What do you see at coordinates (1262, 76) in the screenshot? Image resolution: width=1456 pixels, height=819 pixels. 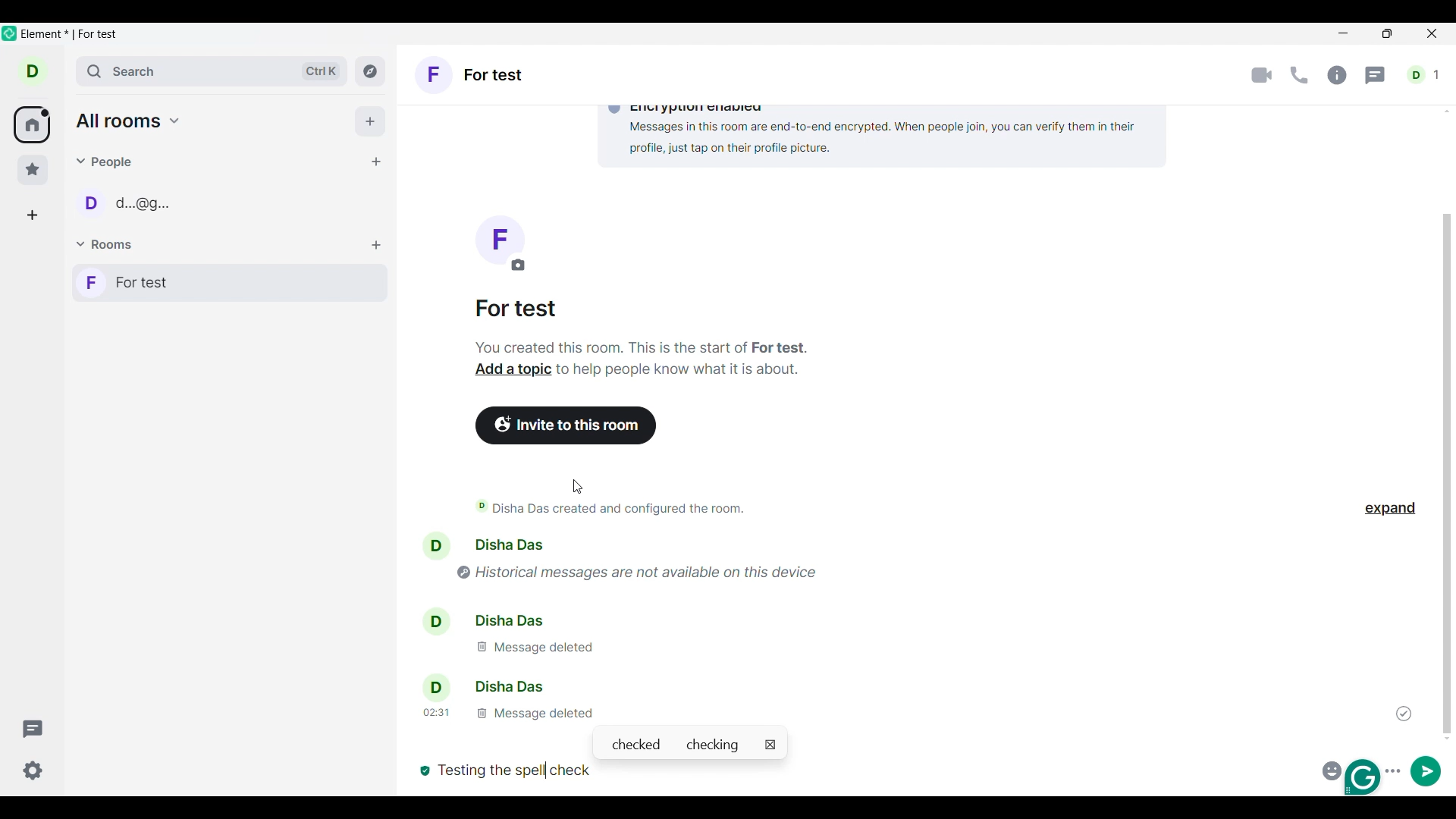 I see `Video call` at bounding box center [1262, 76].